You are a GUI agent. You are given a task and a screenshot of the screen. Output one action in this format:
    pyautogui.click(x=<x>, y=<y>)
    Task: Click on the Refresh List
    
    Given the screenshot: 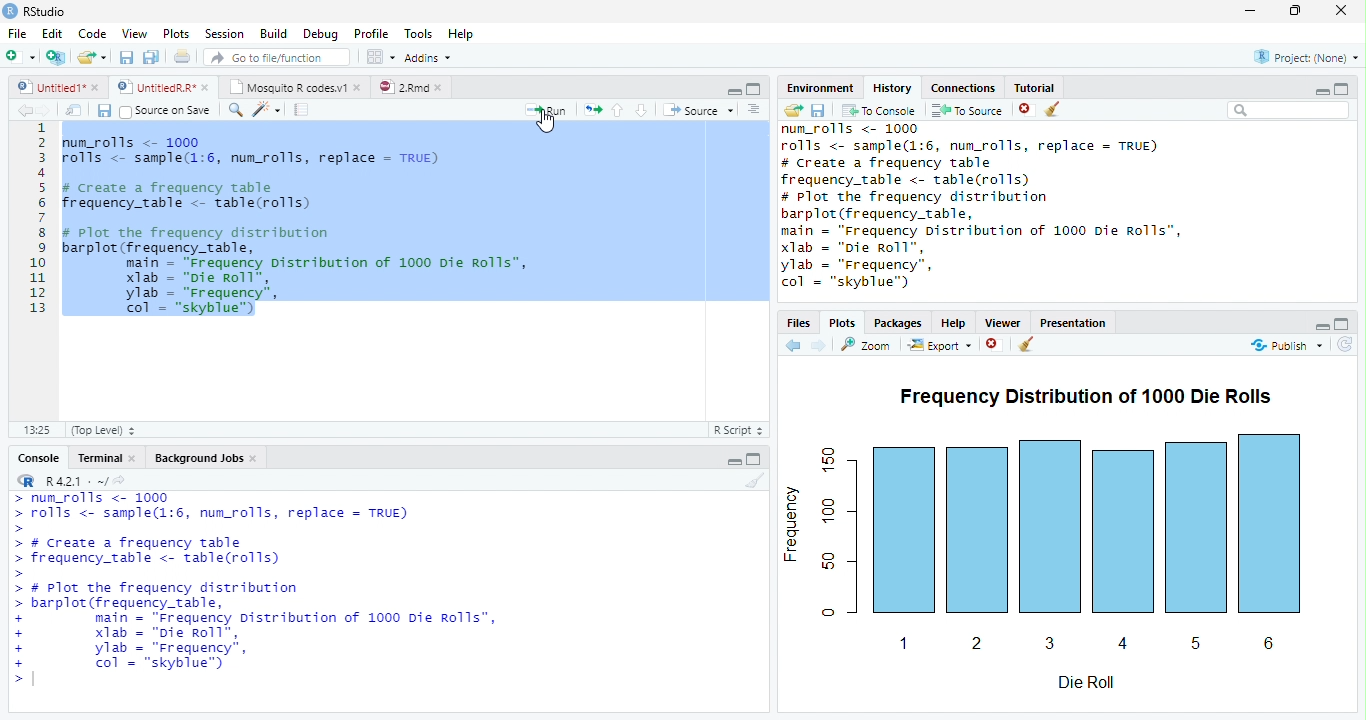 What is the action you would take?
    pyautogui.click(x=1344, y=345)
    